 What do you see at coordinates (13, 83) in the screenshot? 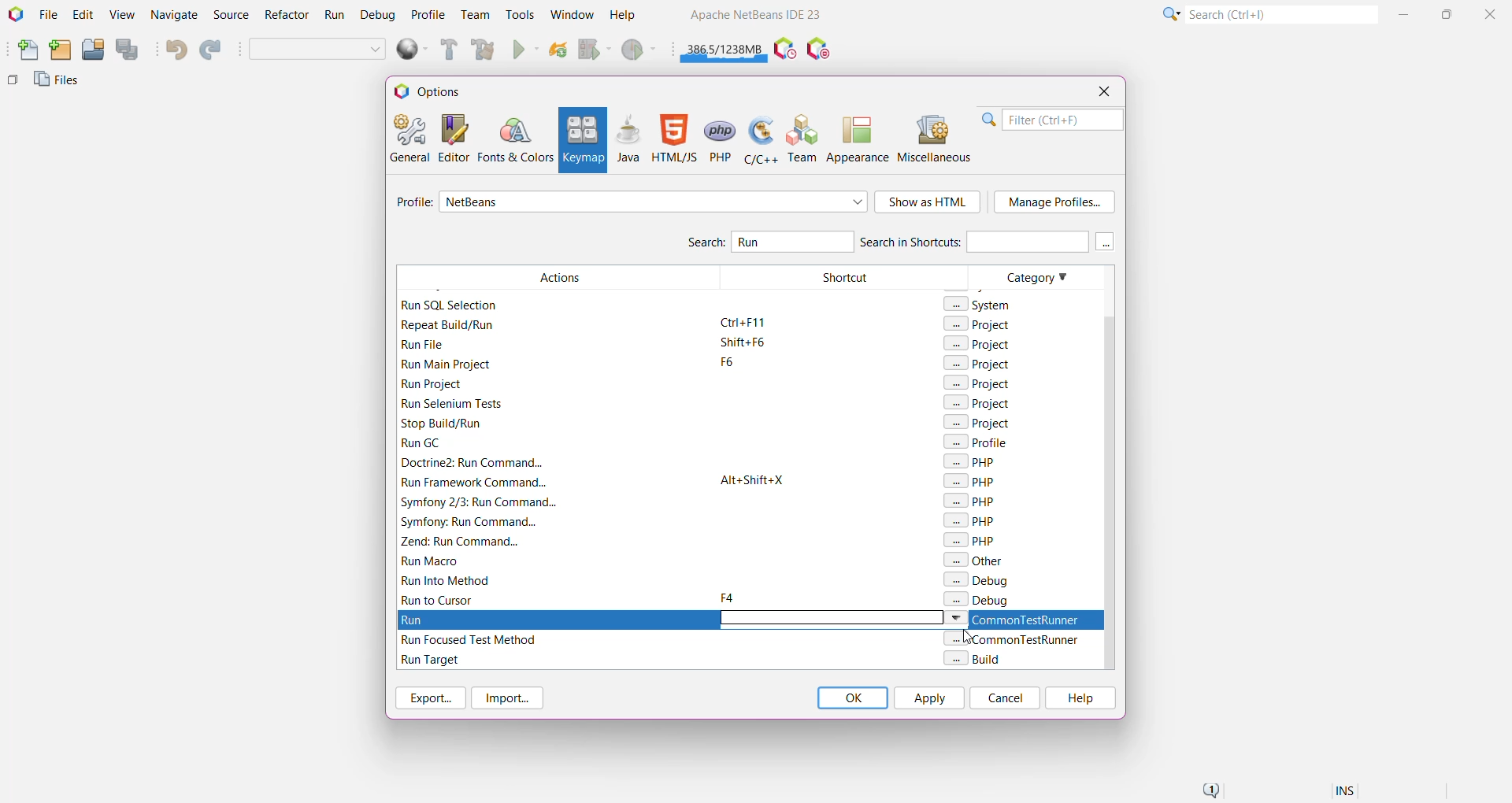
I see `` at bounding box center [13, 83].